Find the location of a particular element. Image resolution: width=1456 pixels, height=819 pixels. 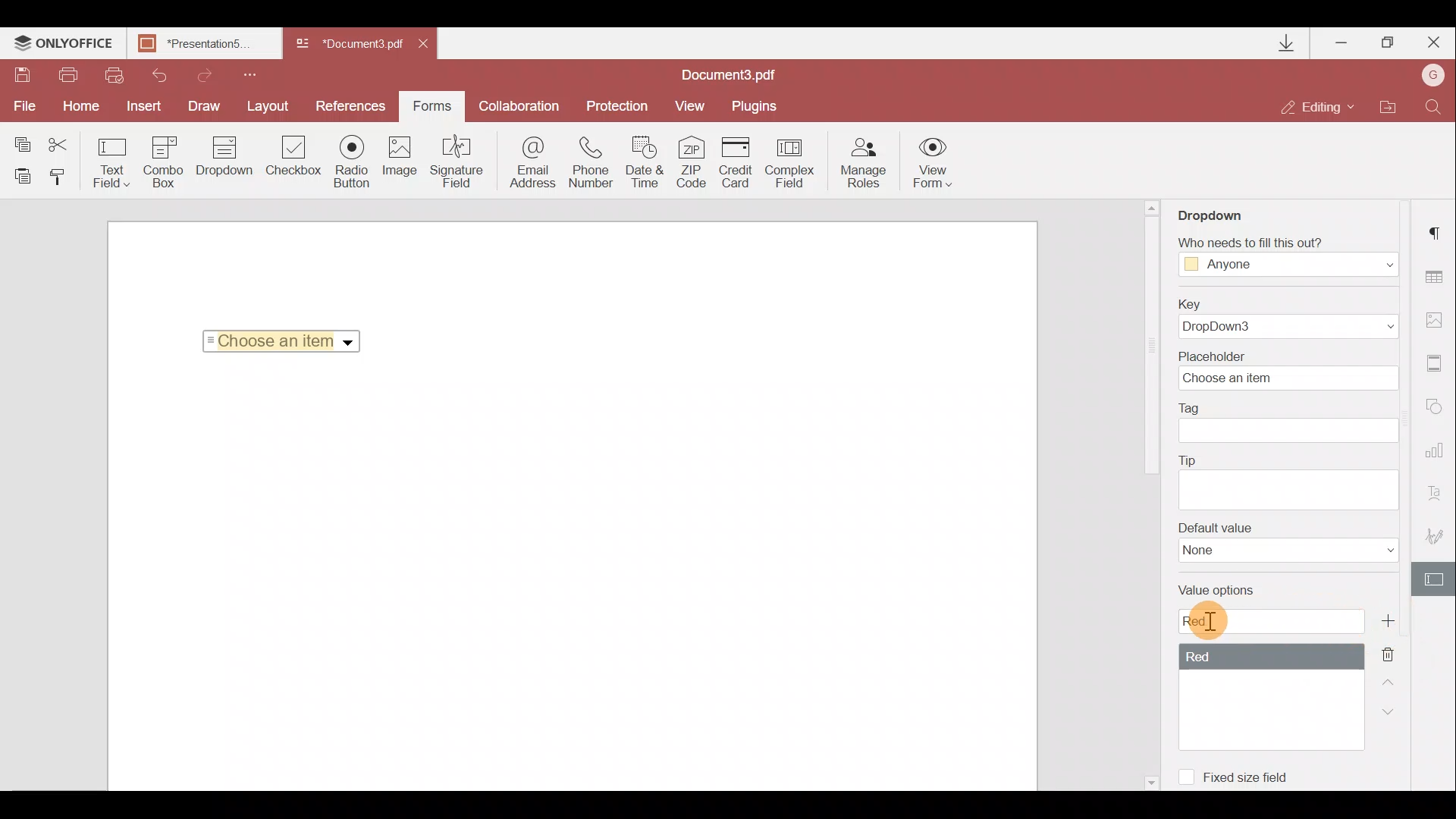

Minimize is located at coordinates (1339, 42).